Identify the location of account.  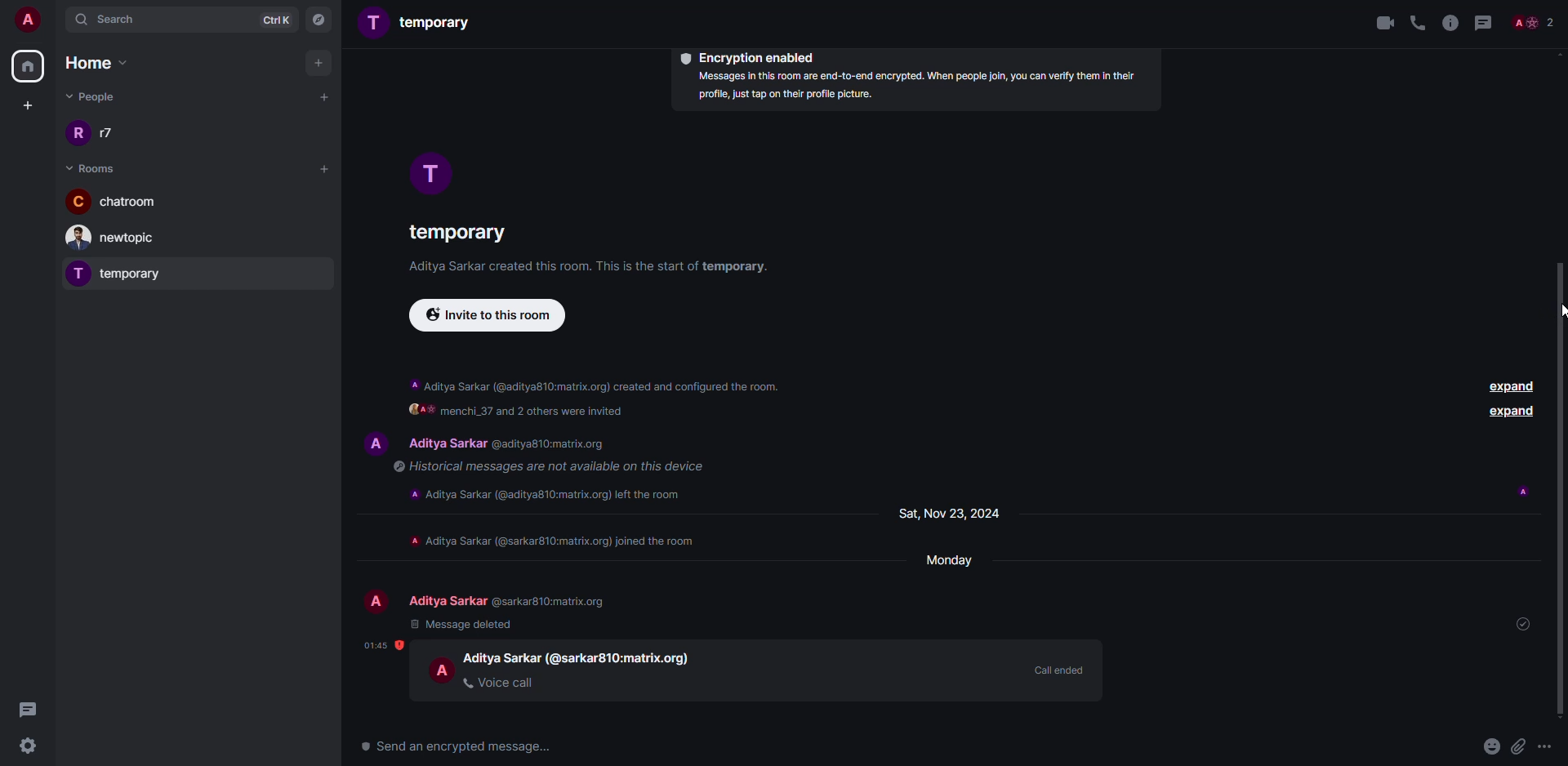
(26, 19).